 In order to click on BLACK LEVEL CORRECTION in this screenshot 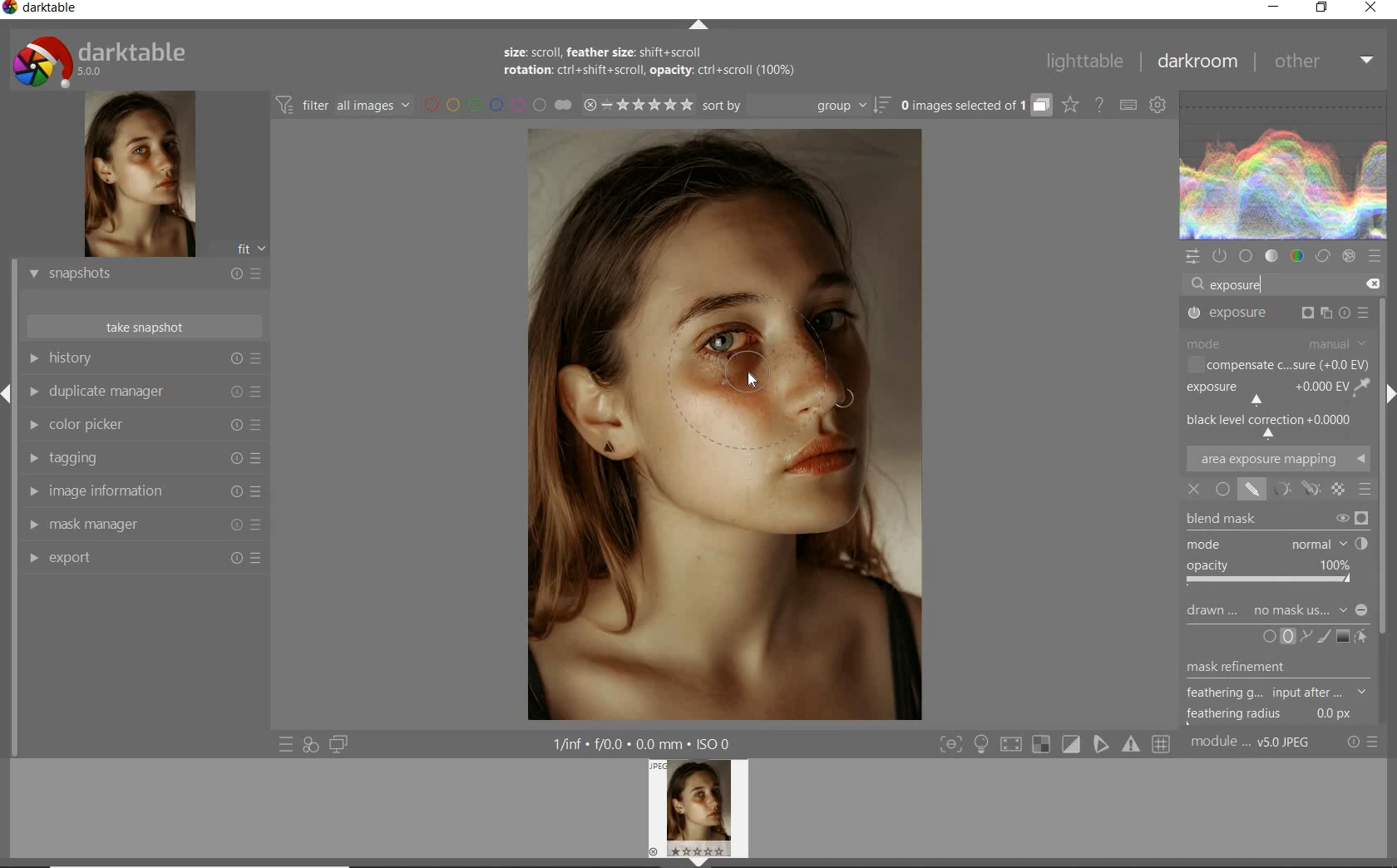, I will do `click(1272, 426)`.